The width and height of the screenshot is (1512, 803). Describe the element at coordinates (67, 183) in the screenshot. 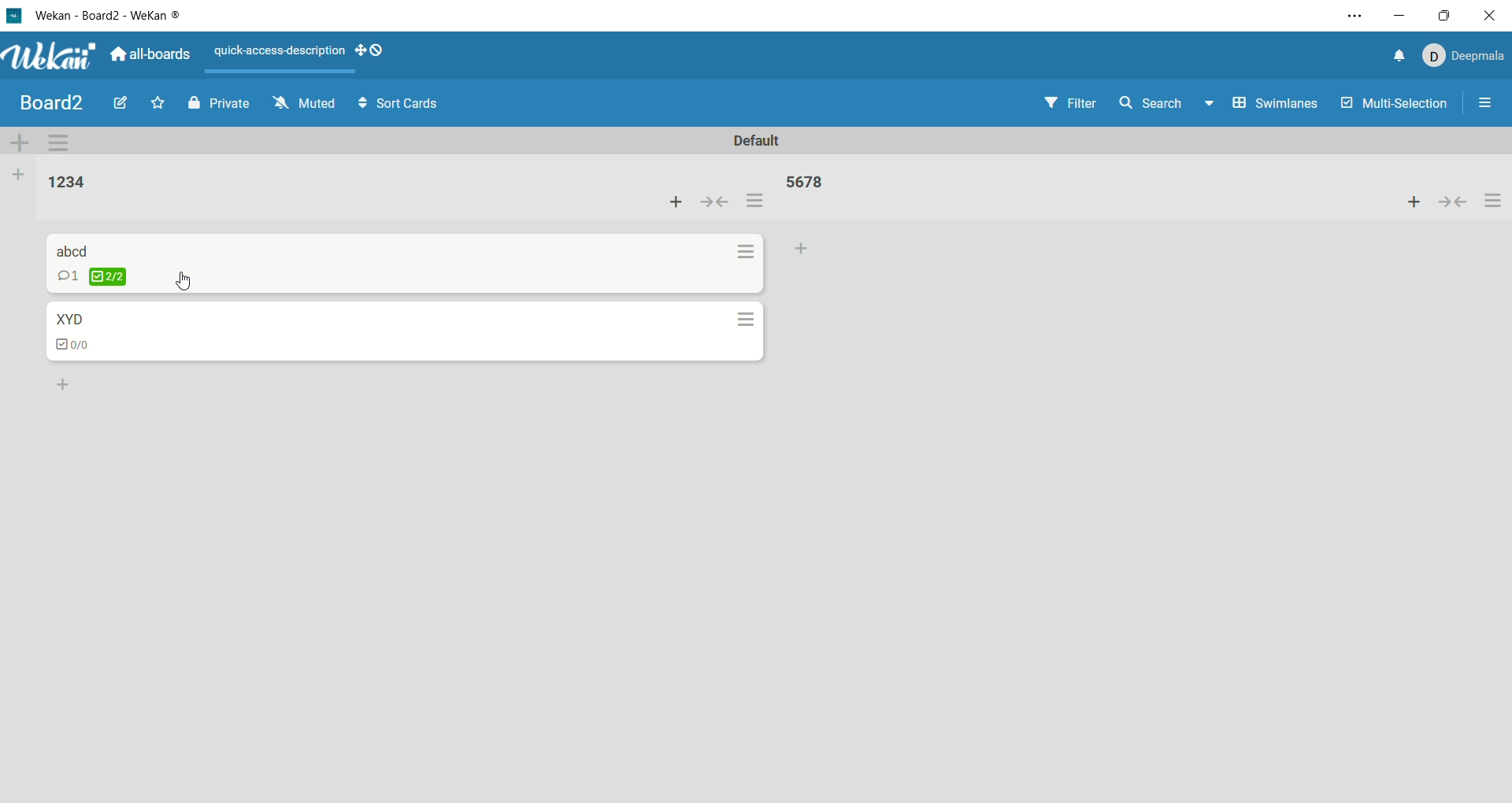

I see `list title` at that location.